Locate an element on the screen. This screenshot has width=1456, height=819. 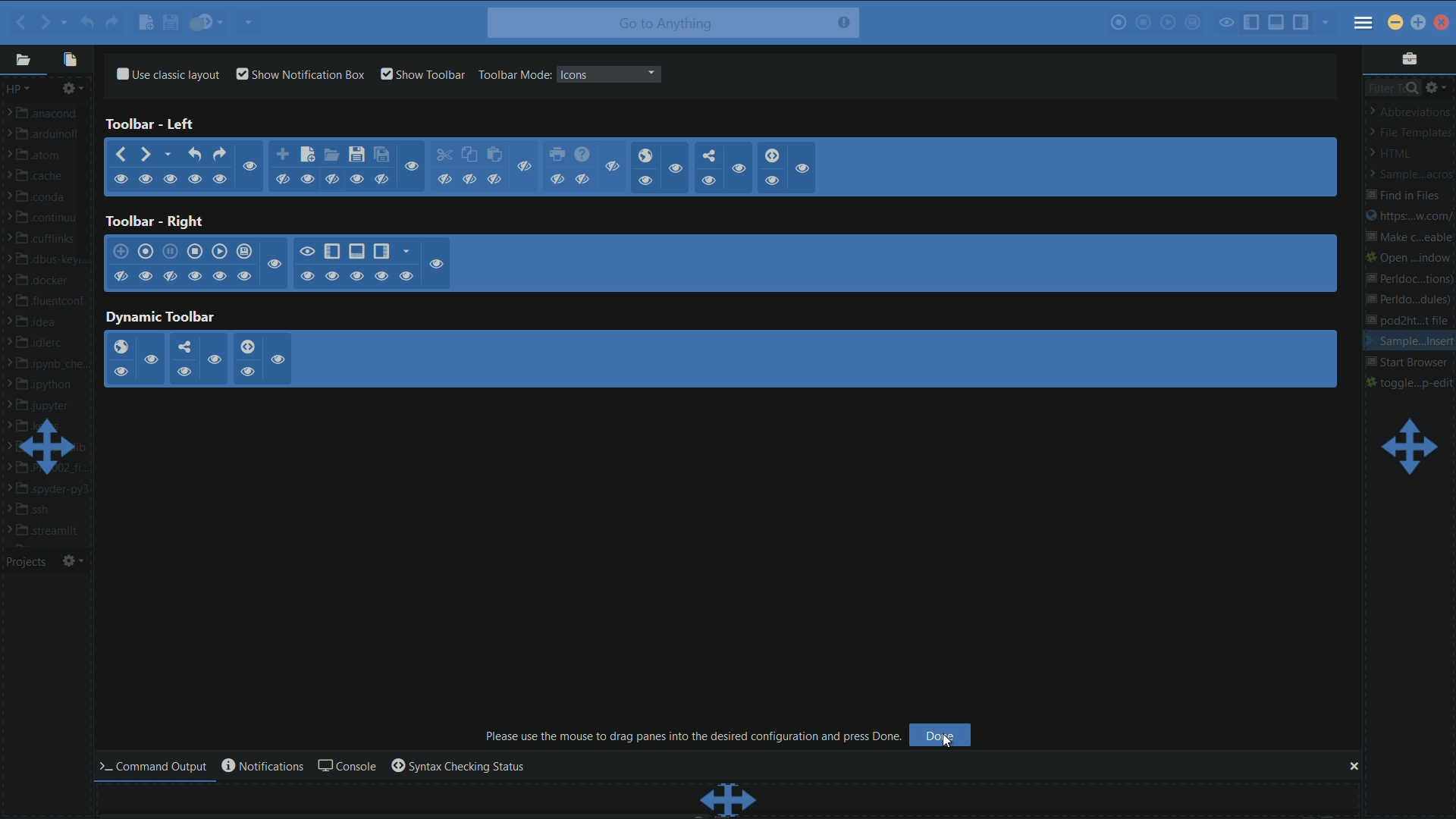
streamlit is located at coordinates (52, 531).